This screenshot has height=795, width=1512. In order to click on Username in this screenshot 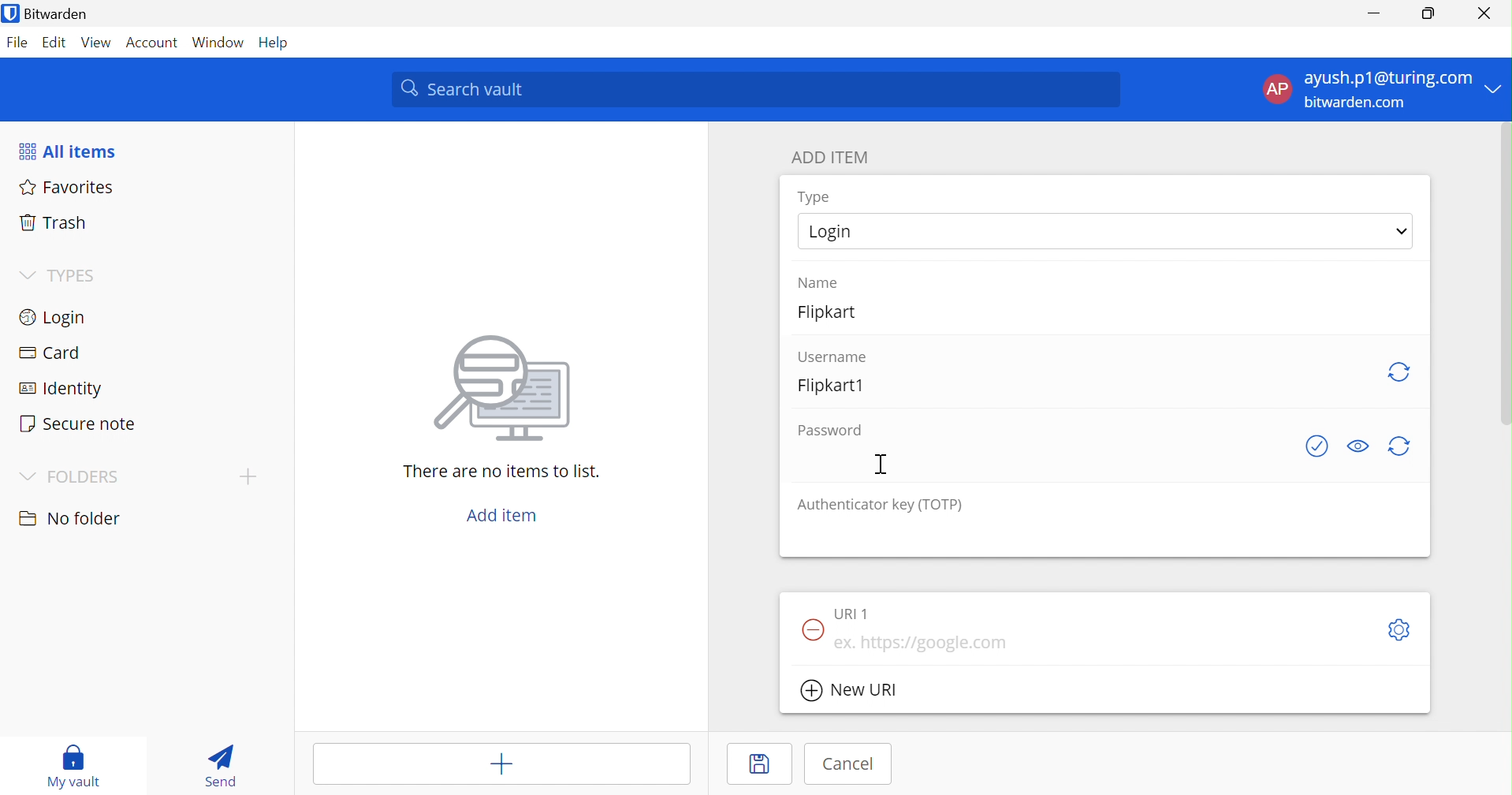, I will do `click(833, 355)`.